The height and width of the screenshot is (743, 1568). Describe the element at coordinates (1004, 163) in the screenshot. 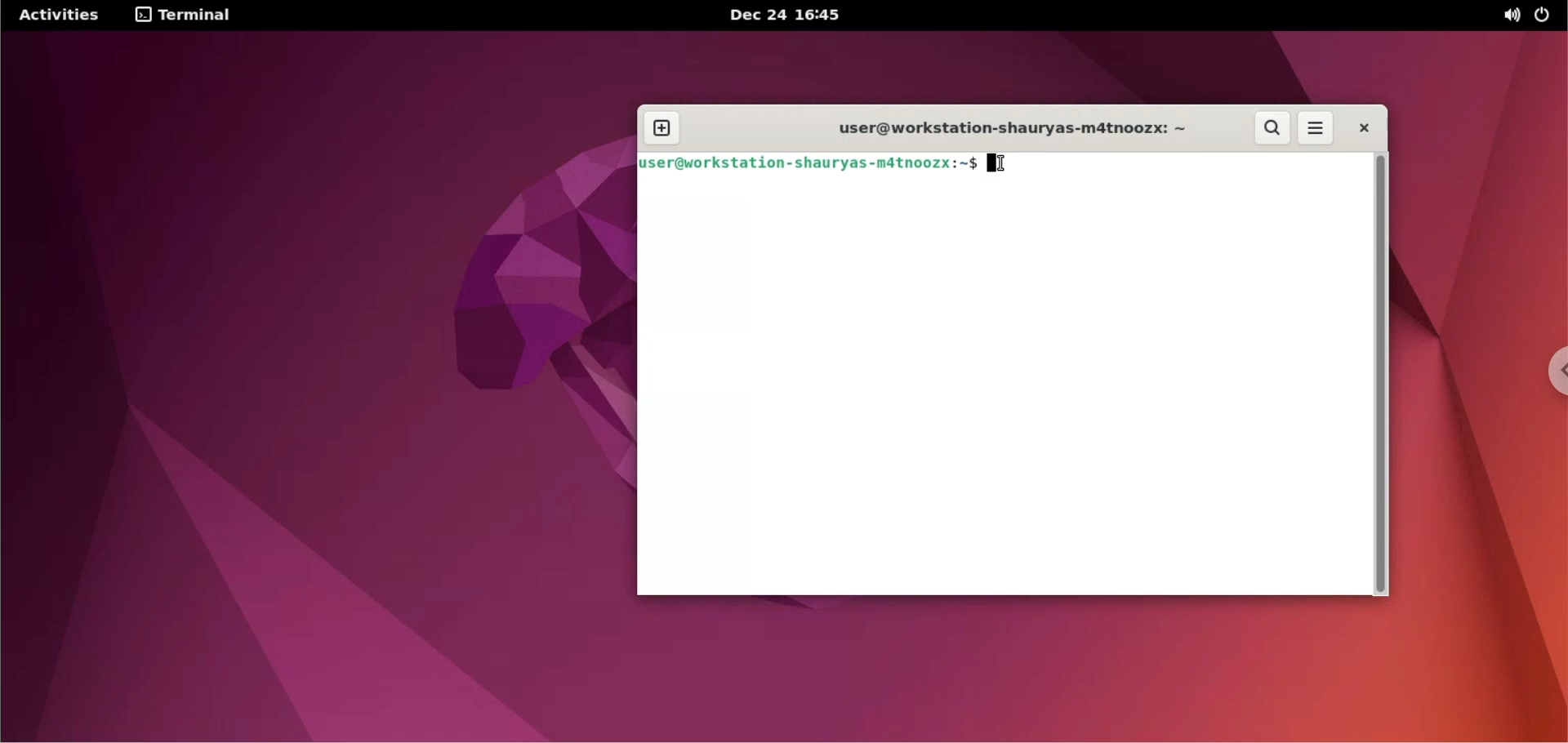

I see `cursor` at that location.